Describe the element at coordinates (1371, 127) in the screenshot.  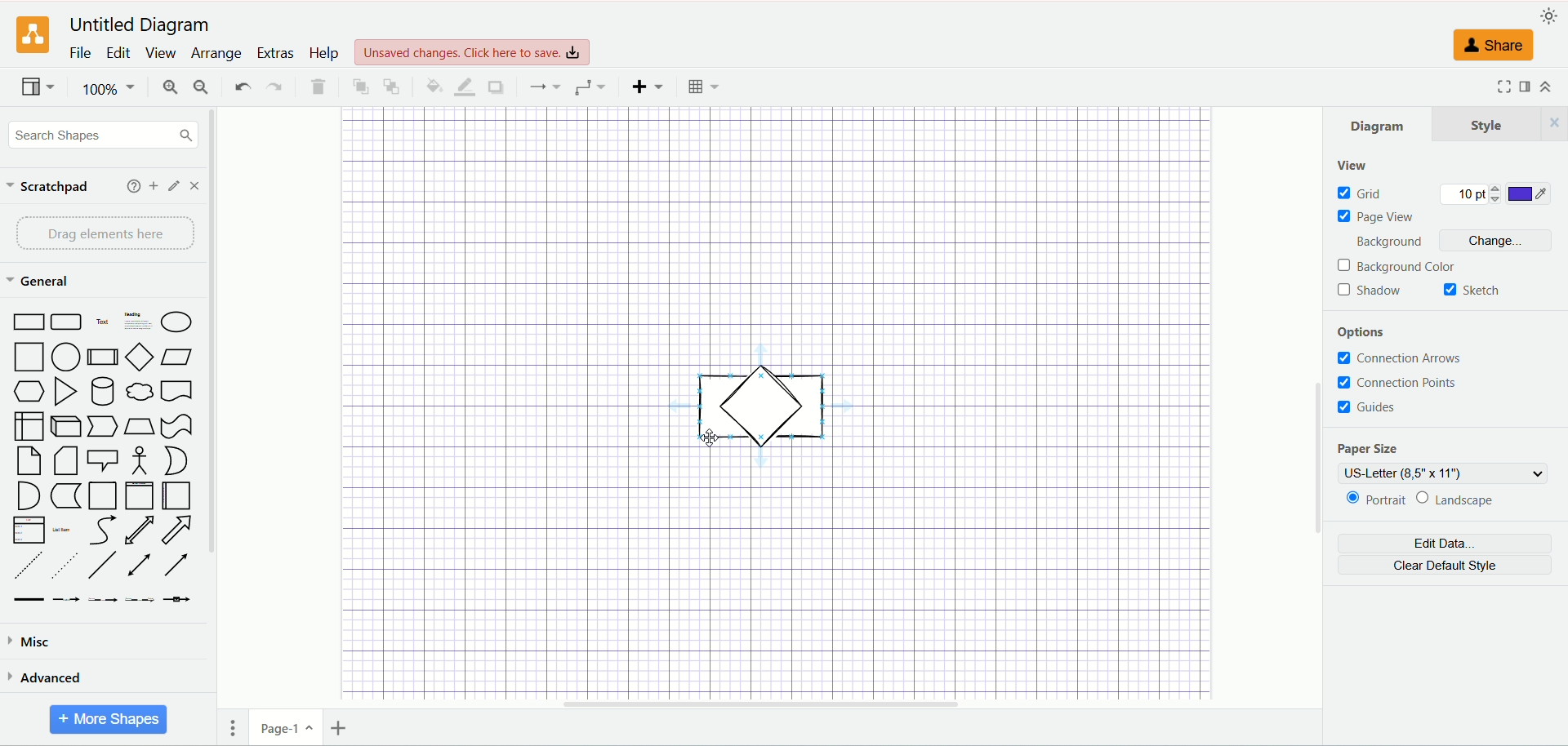
I see `diagram` at that location.